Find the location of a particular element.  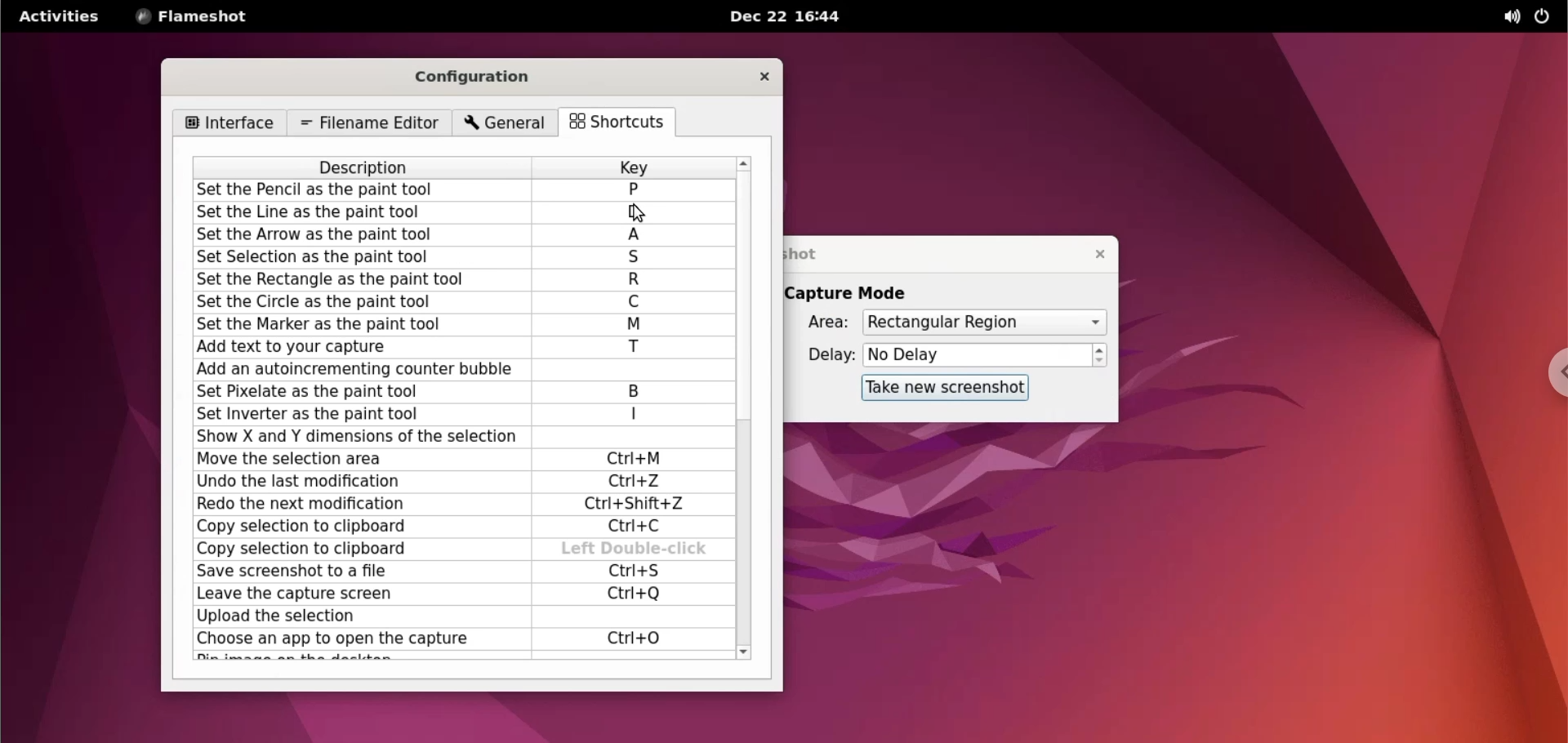

shortcuts is located at coordinates (623, 123).